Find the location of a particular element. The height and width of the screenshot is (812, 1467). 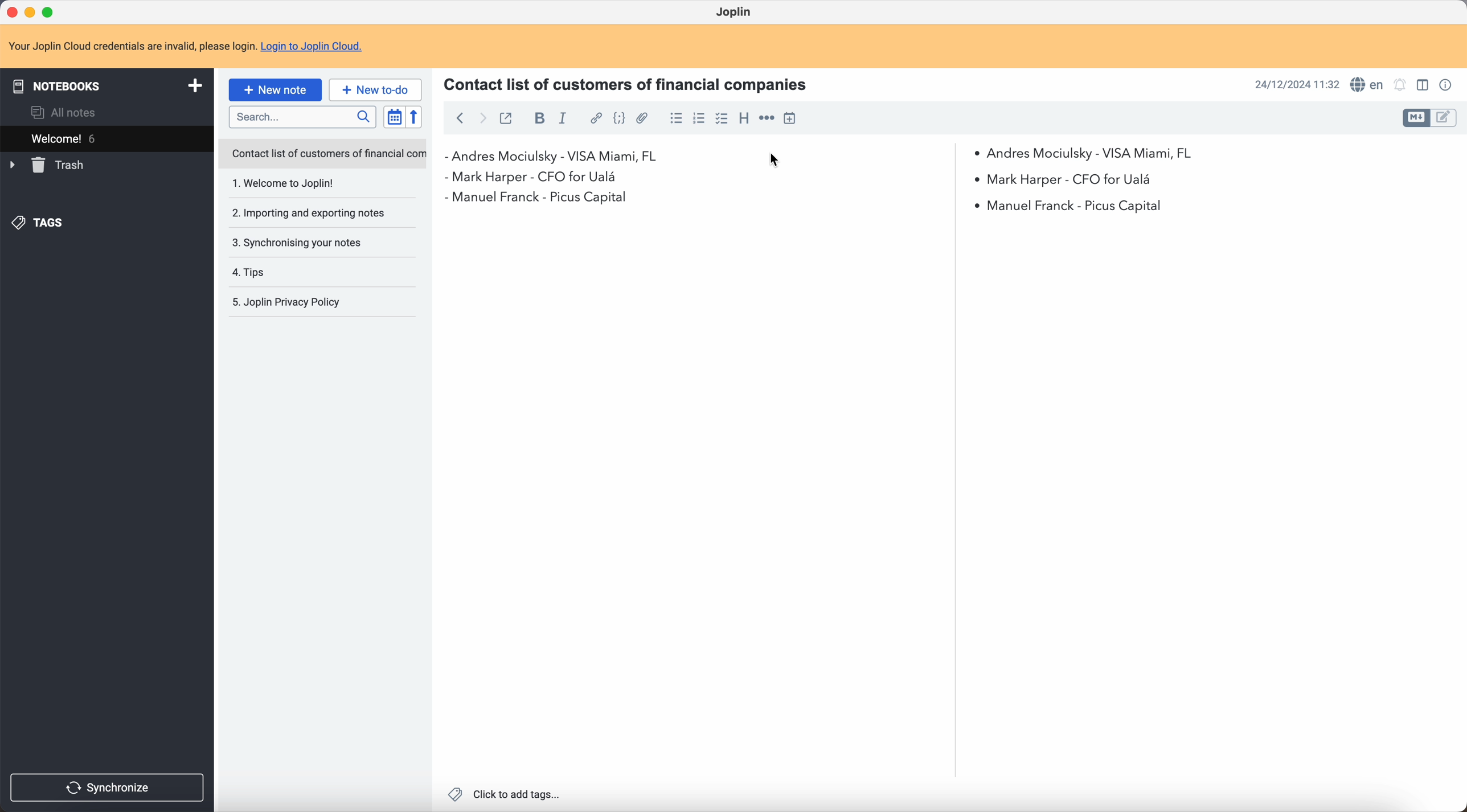

minimize is located at coordinates (30, 11).